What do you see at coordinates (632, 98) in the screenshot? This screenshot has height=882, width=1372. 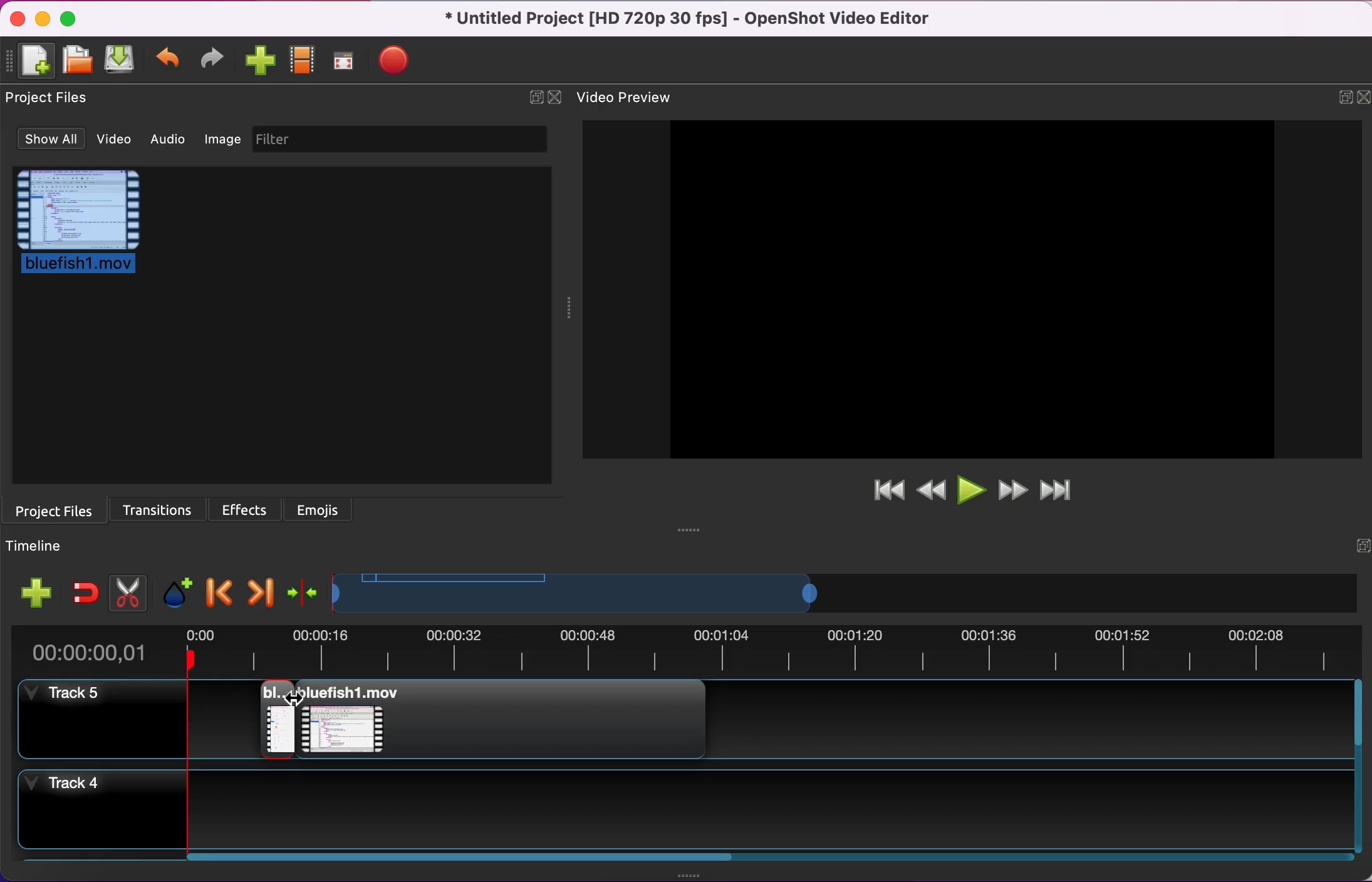 I see `video preview` at bounding box center [632, 98].